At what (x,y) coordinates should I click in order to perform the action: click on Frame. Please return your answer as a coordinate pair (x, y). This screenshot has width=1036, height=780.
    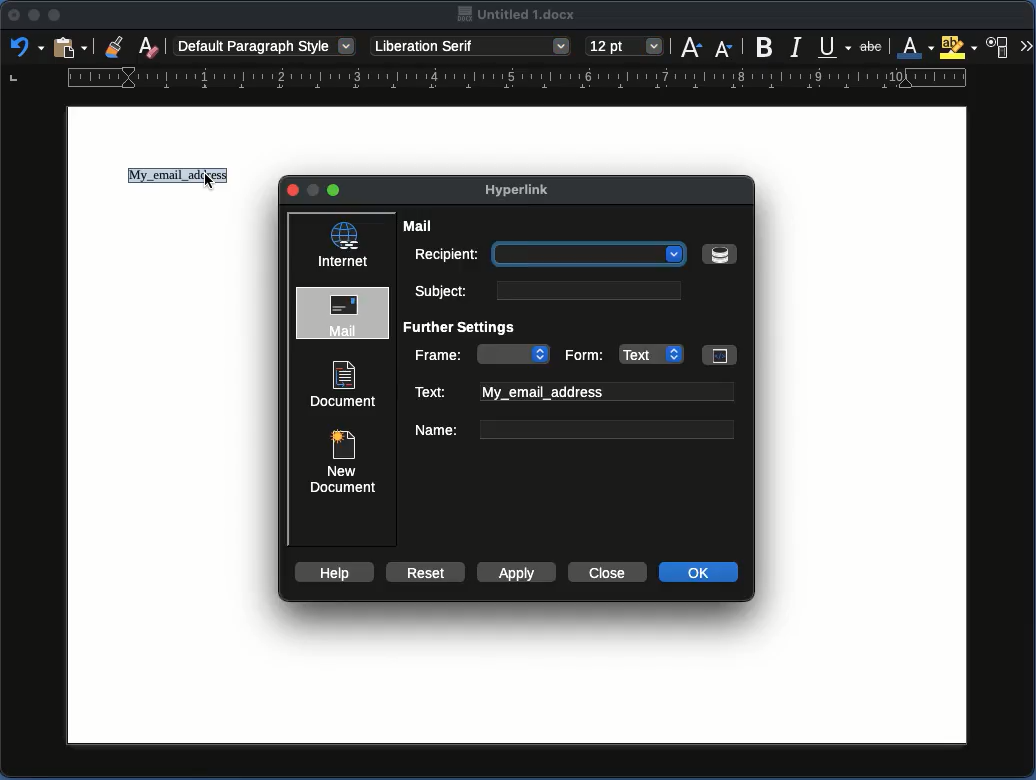
    Looking at the image, I should click on (482, 354).